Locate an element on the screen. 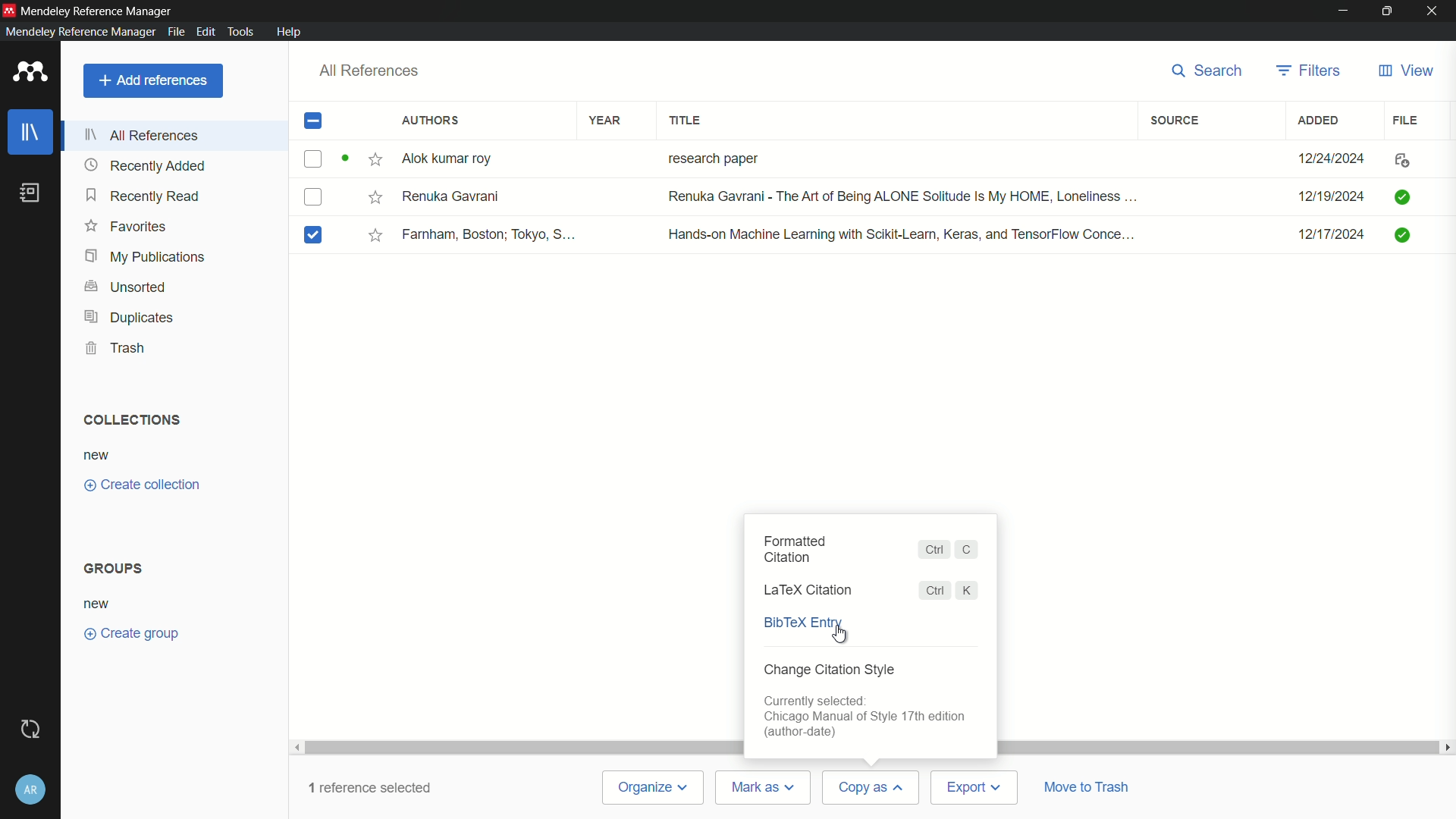 This screenshot has height=819, width=1456. book is located at coordinates (30, 193).